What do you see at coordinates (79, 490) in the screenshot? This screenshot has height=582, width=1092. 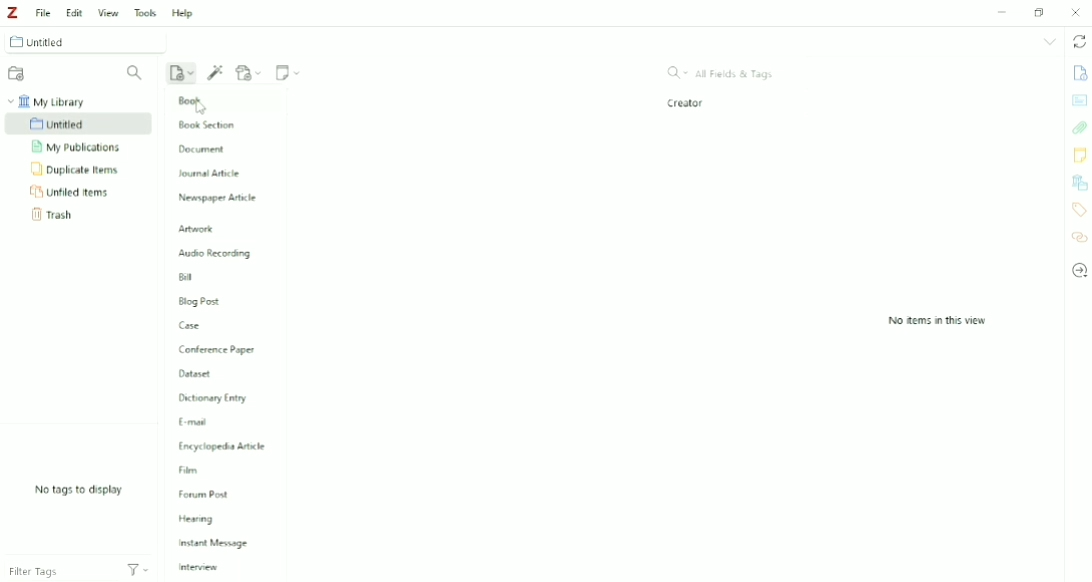 I see `No tags to display` at bounding box center [79, 490].